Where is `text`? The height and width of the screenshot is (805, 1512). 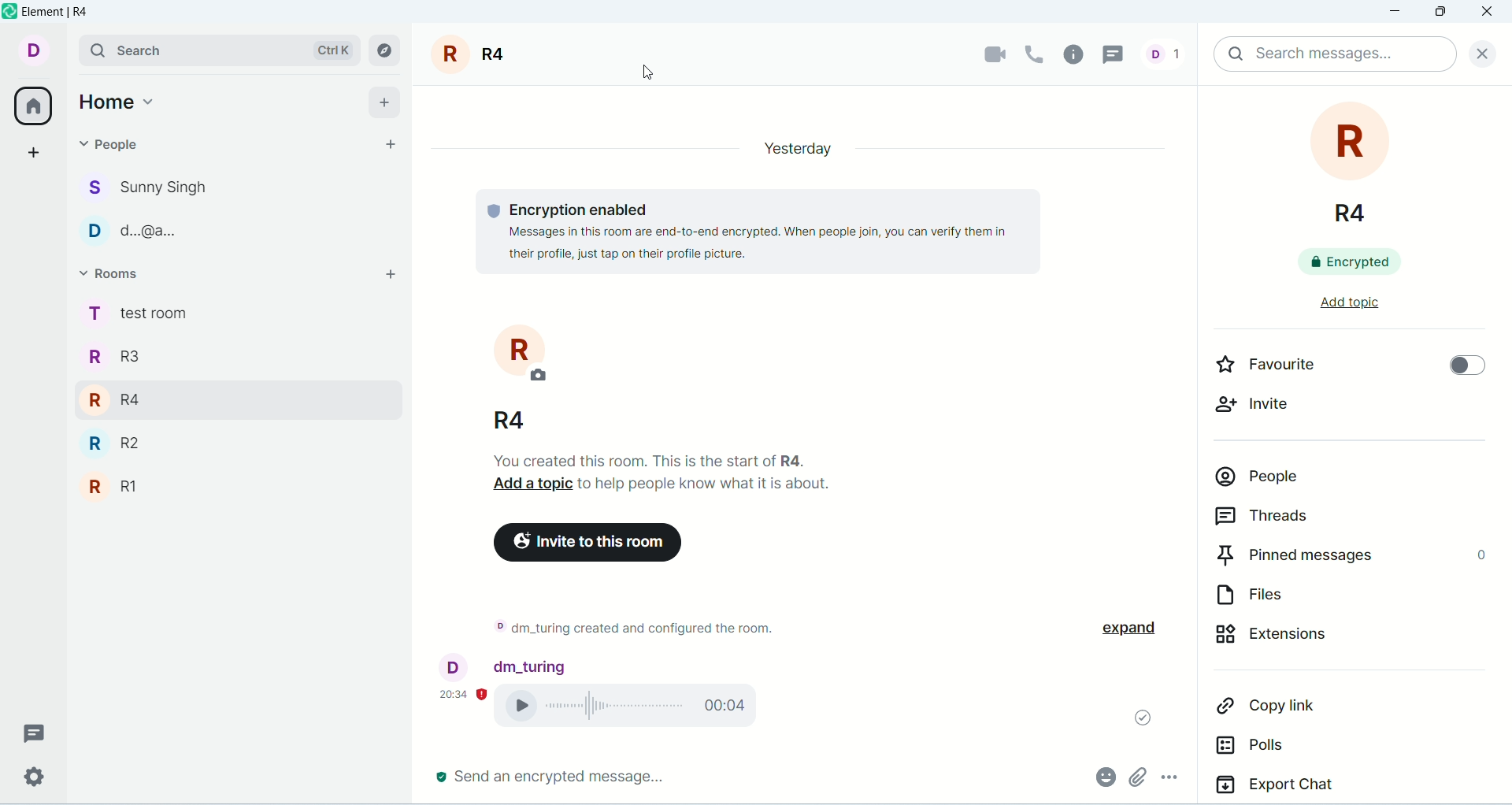 text is located at coordinates (740, 230).